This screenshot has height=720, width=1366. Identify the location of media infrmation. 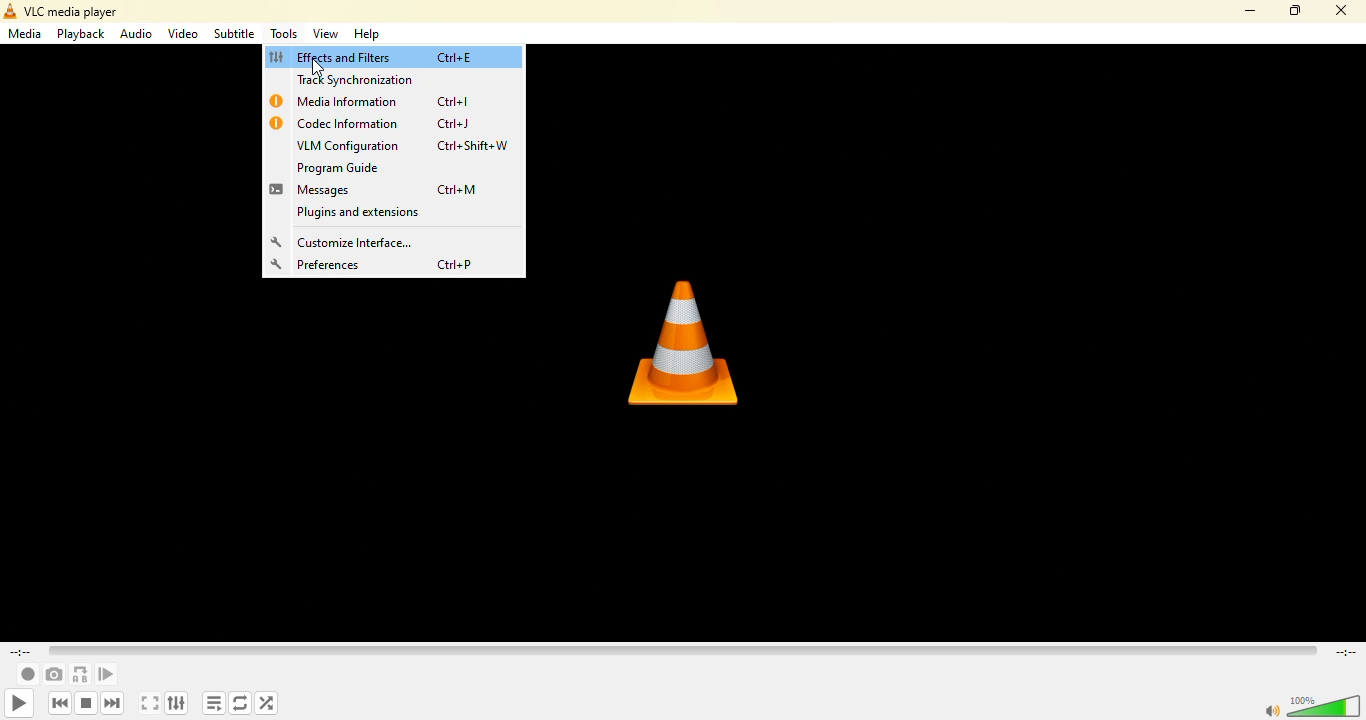
(345, 102).